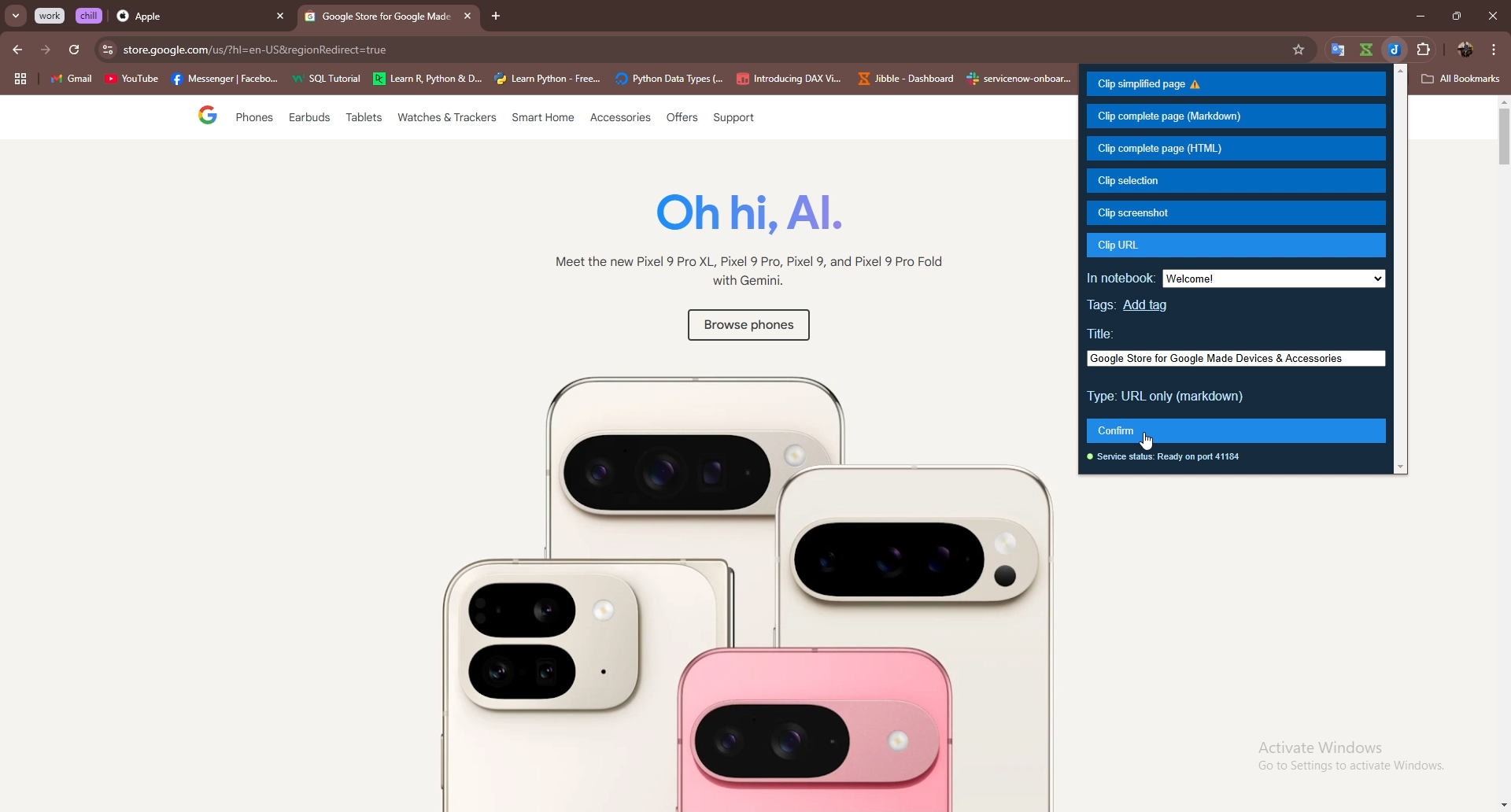 The height and width of the screenshot is (812, 1511). Describe the element at coordinates (1149, 304) in the screenshot. I see `add tag` at that location.